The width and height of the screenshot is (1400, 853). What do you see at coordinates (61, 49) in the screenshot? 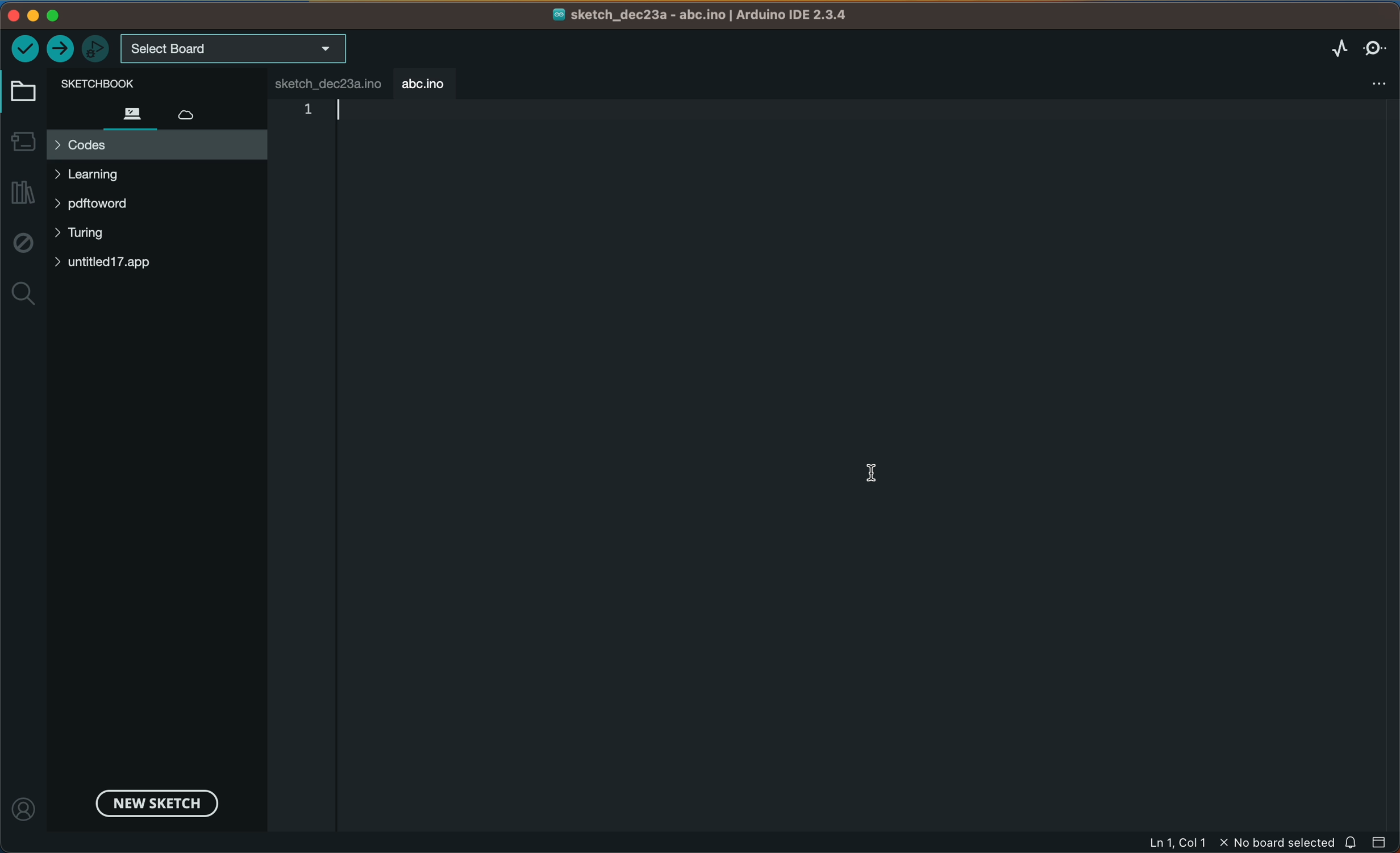
I see `upload` at bounding box center [61, 49].